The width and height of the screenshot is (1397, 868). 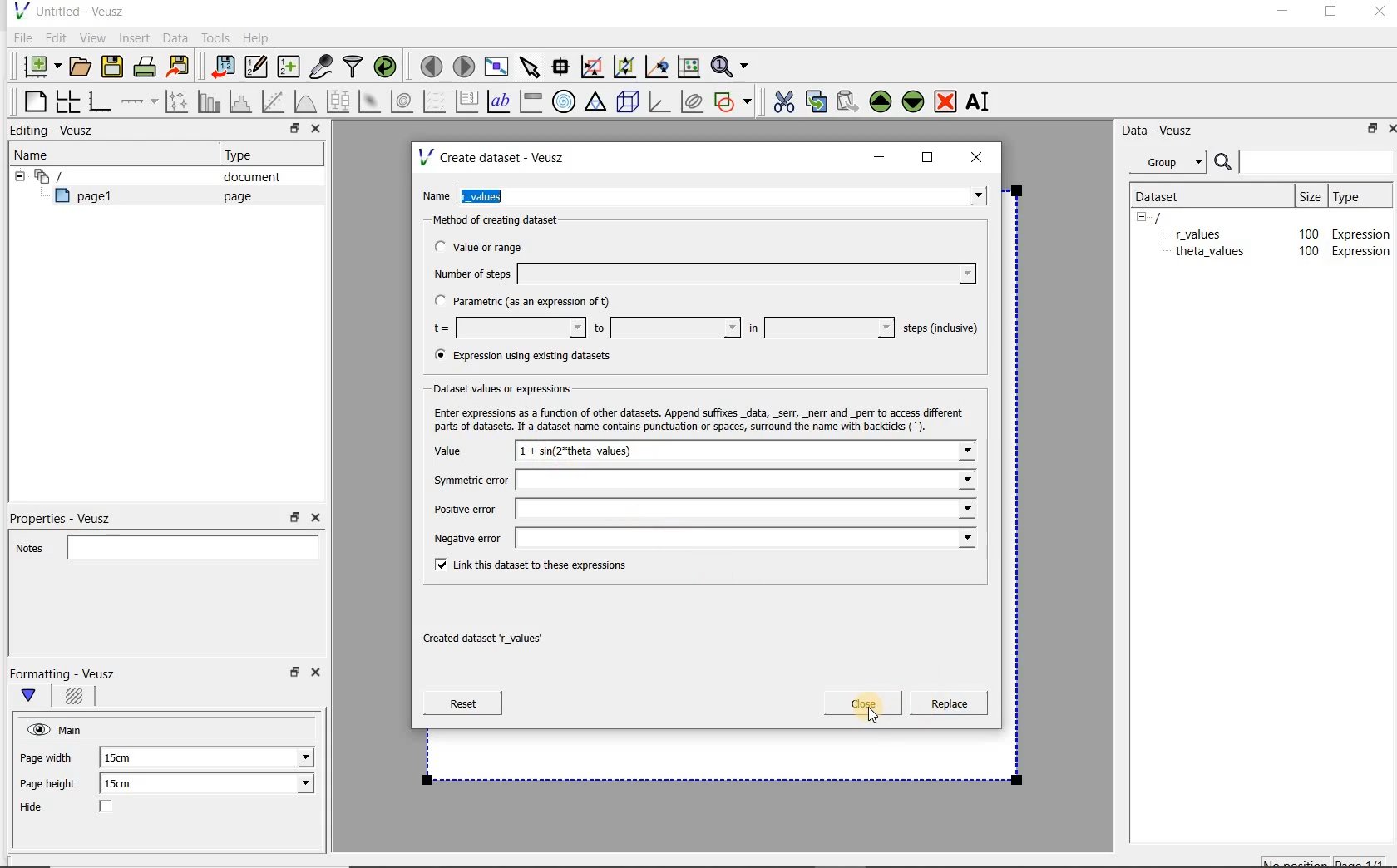 I want to click on Name, so click(x=37, y=154).